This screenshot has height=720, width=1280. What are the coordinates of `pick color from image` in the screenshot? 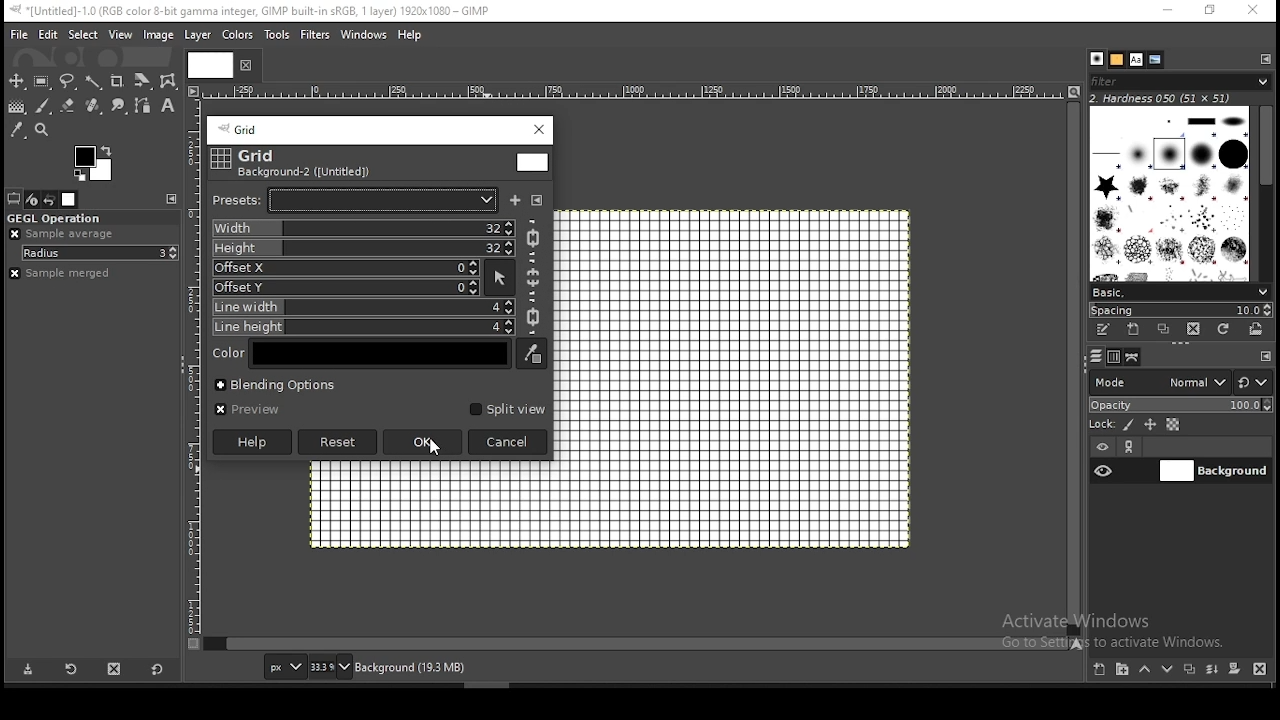 It's located at (531, 353).